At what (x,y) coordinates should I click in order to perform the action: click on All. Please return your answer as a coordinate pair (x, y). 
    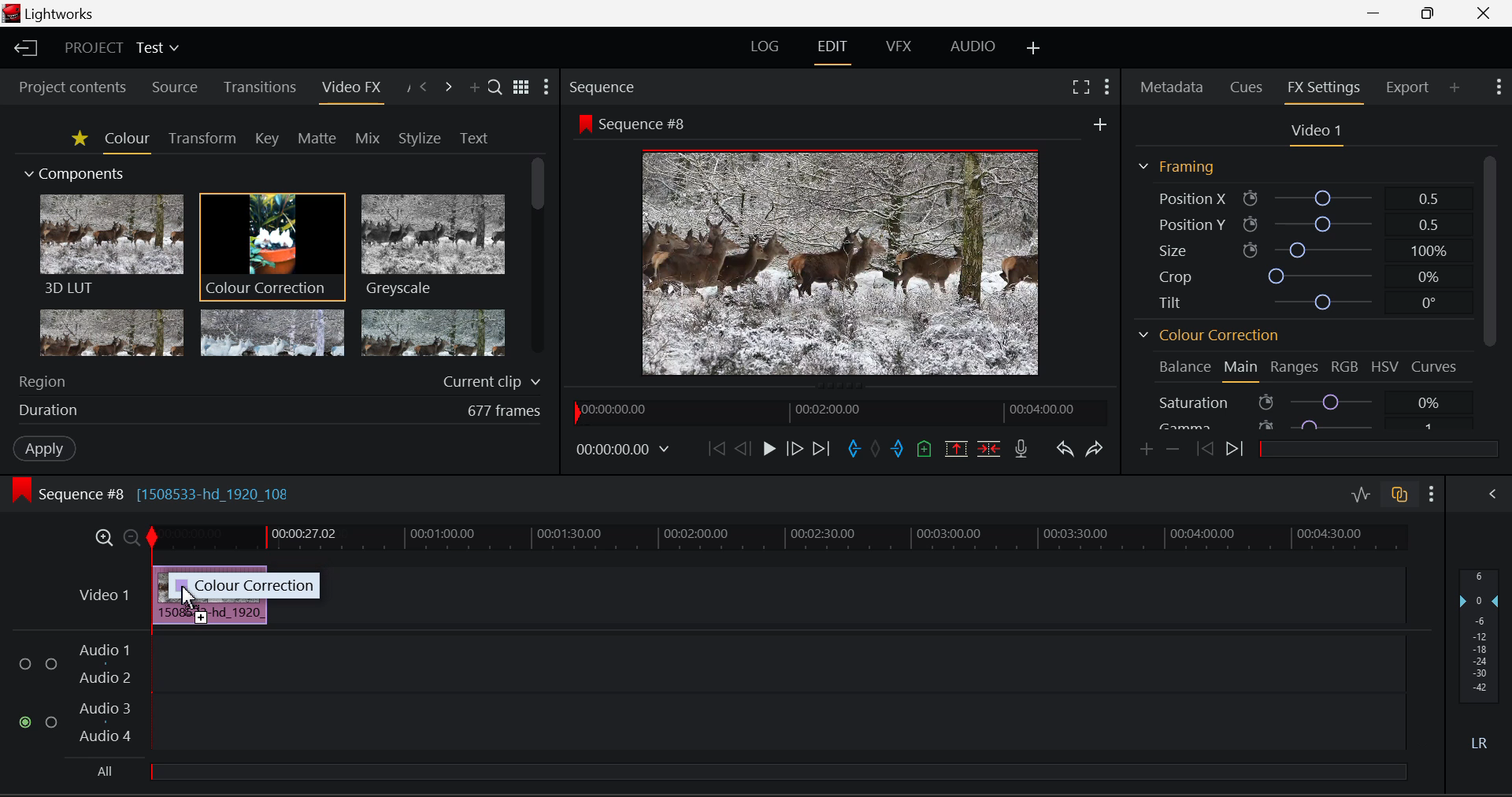
    Looking at the image, I should click on (744, 776).